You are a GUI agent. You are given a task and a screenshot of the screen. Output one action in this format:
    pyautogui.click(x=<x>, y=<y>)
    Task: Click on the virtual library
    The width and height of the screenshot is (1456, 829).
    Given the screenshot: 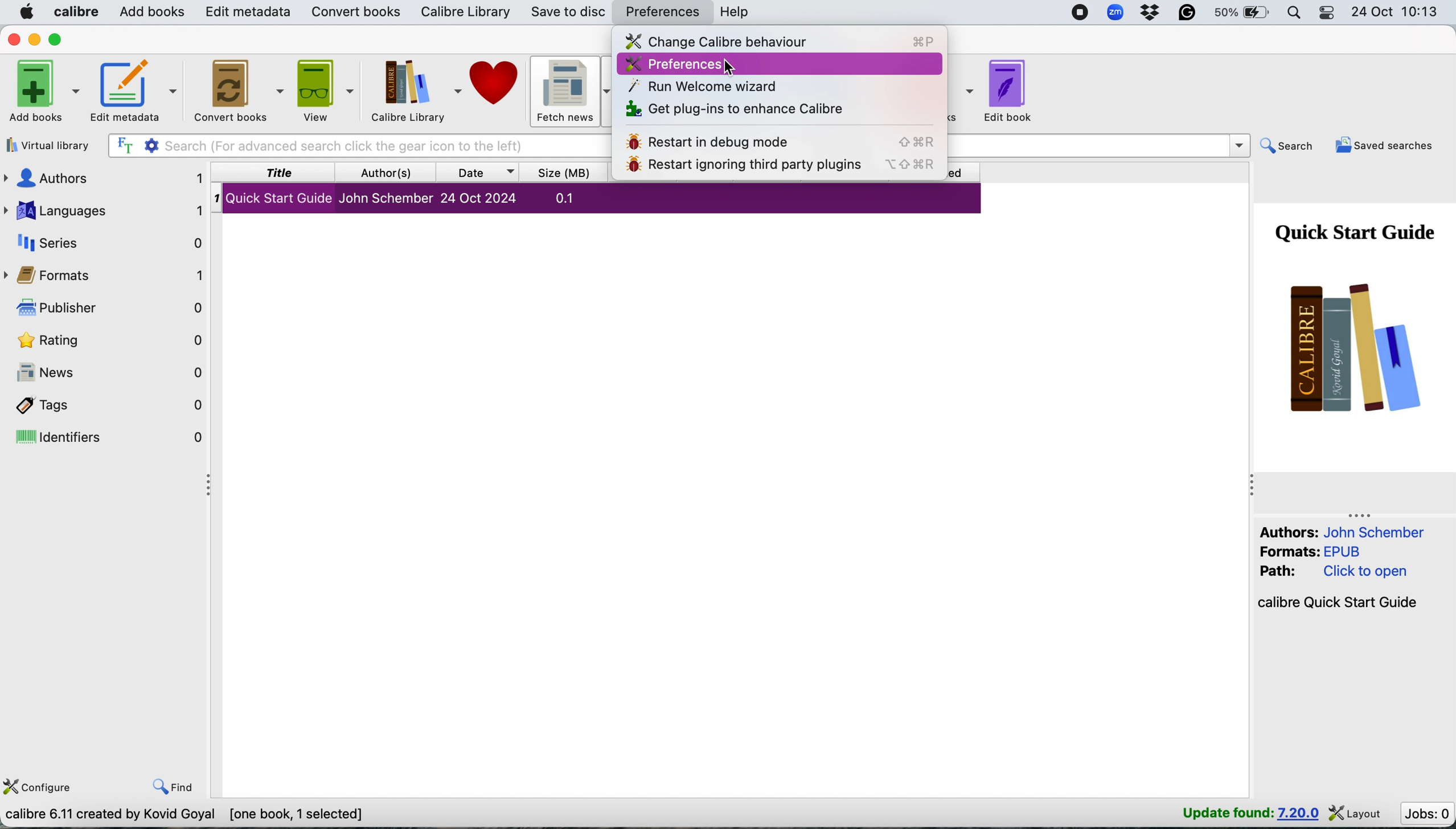 What is the action you would take?
    pyautogui.click(x=51, y=146)
    